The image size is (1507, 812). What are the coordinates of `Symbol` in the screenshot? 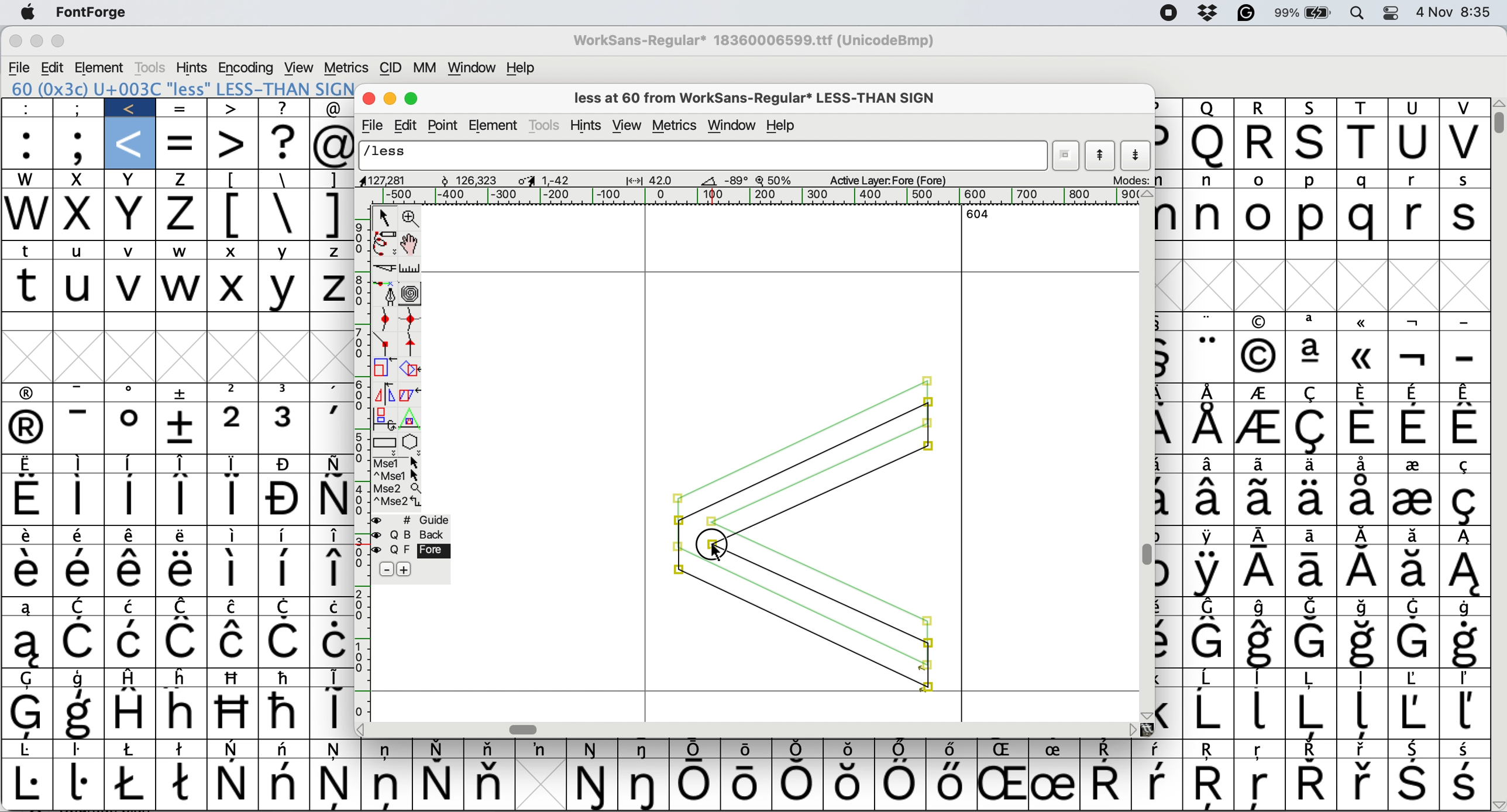 It's located at (1260, 463).